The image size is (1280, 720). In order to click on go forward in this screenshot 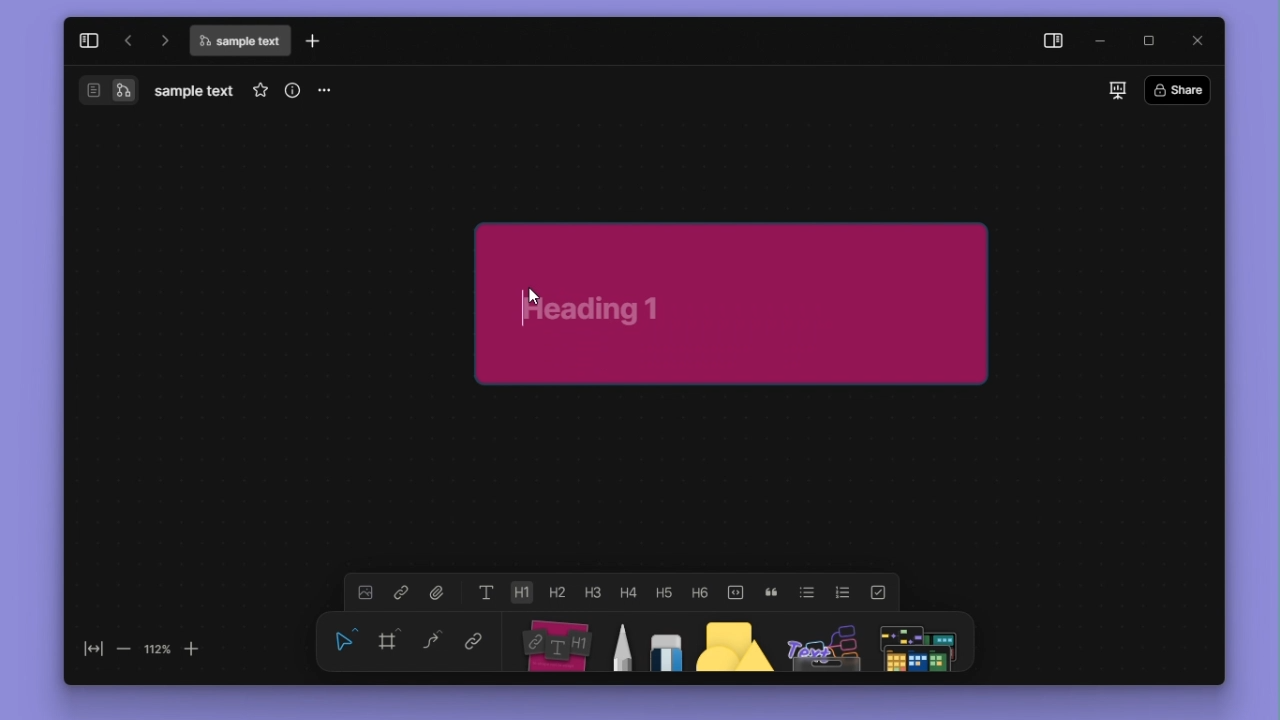, I will do `click(163, 40)`.